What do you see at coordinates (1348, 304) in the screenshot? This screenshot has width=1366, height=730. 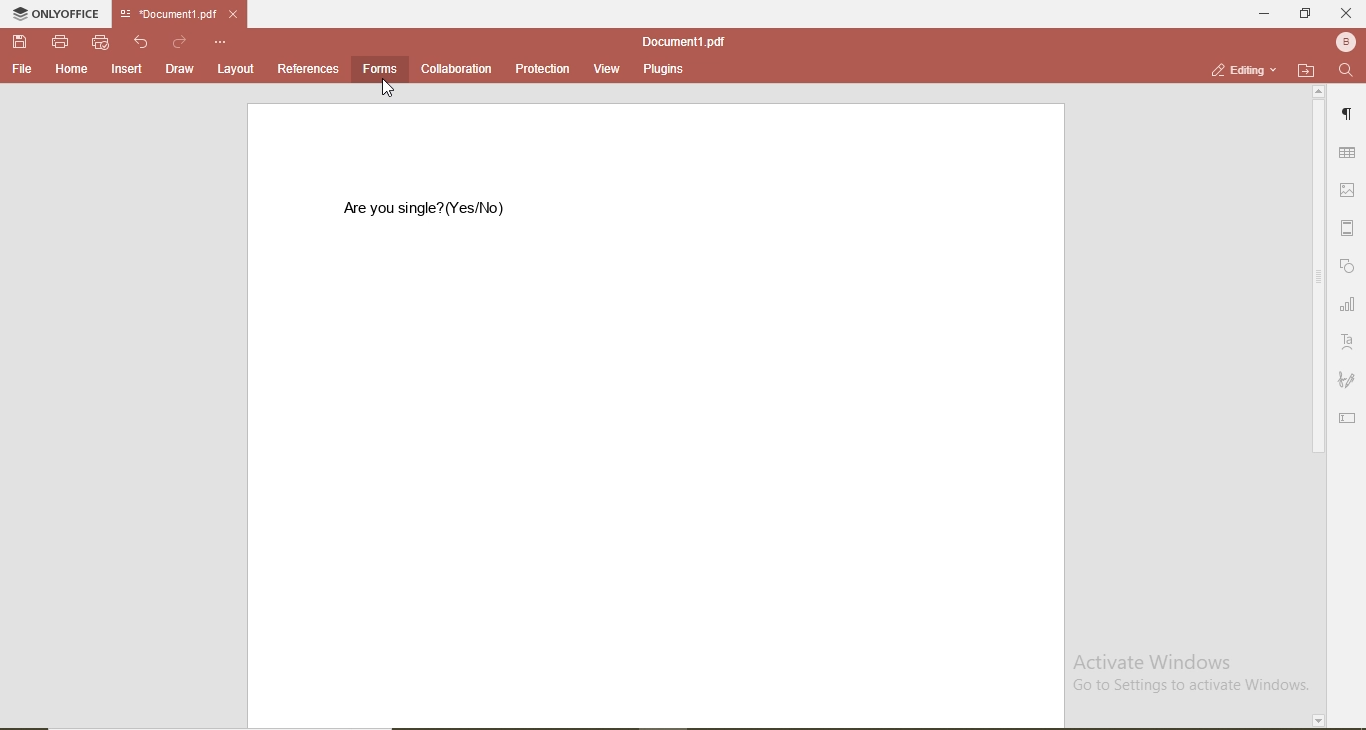 I see `chart` at bounding box center [1348, 304].